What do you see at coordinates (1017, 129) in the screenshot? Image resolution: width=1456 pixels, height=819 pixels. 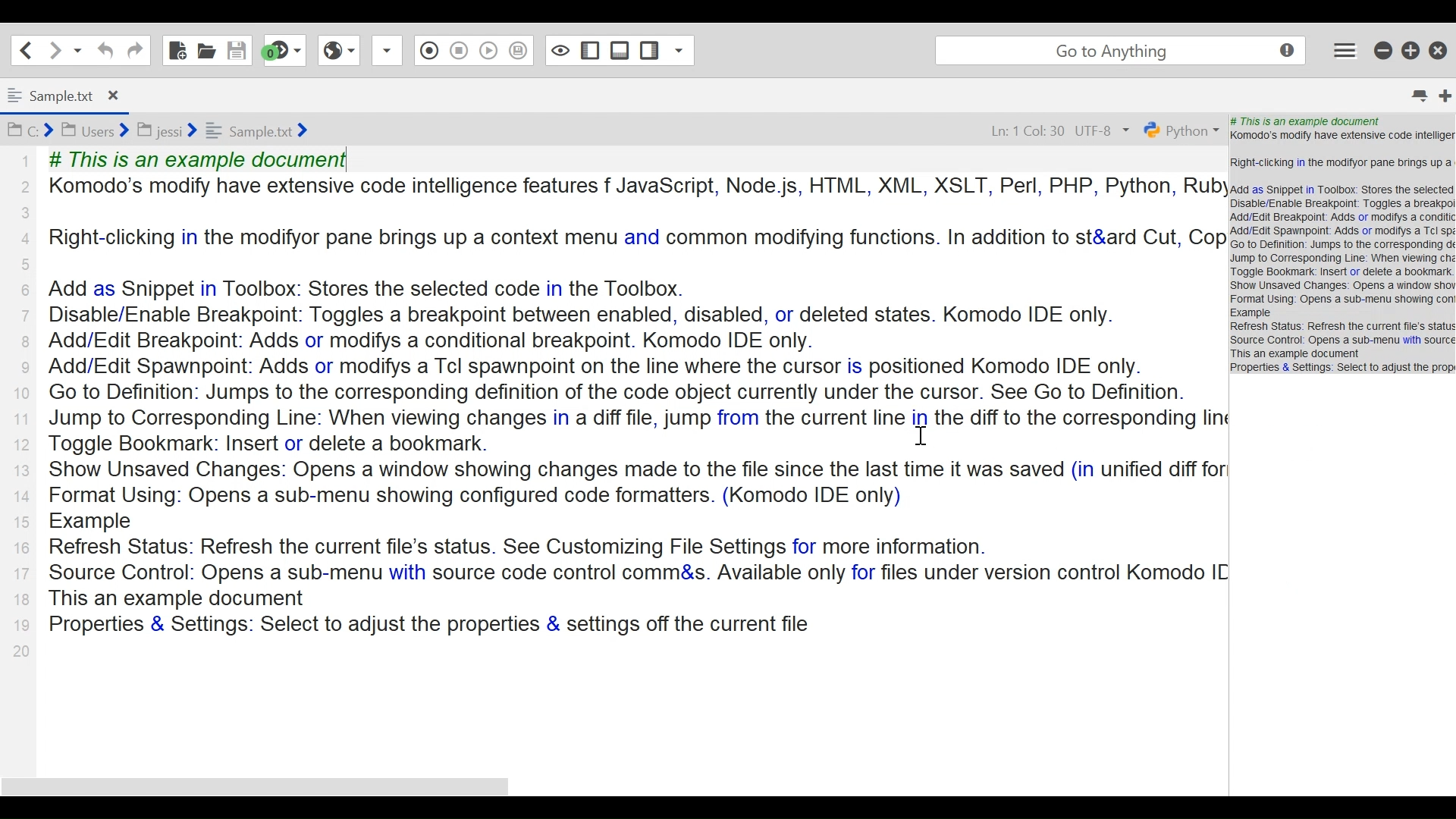 I see `Ln: 1 Col: 30` at bounding box center [1017, 129].